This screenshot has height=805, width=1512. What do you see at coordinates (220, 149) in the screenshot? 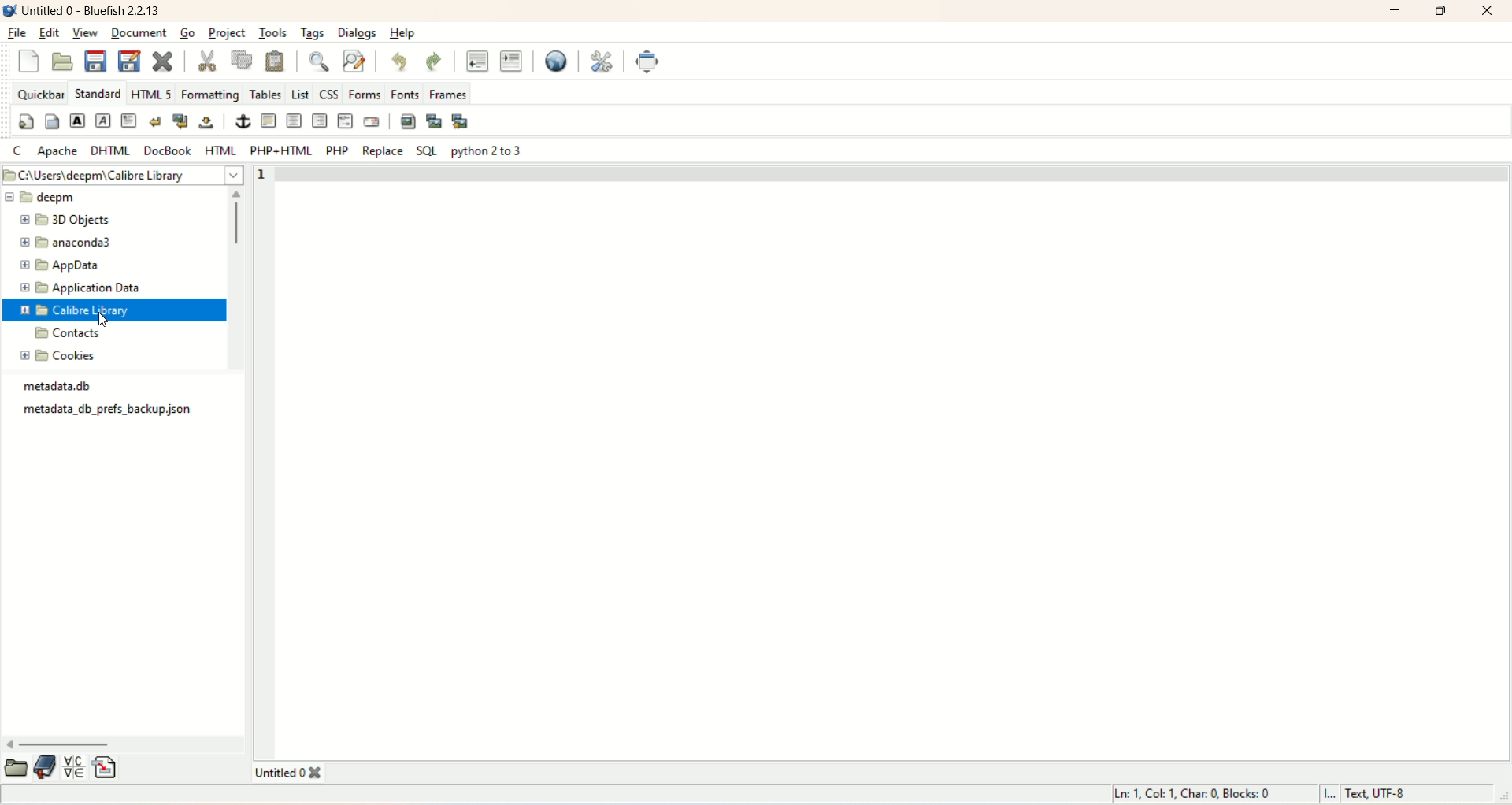
I see `HTML` at bounding box center [220, 149].